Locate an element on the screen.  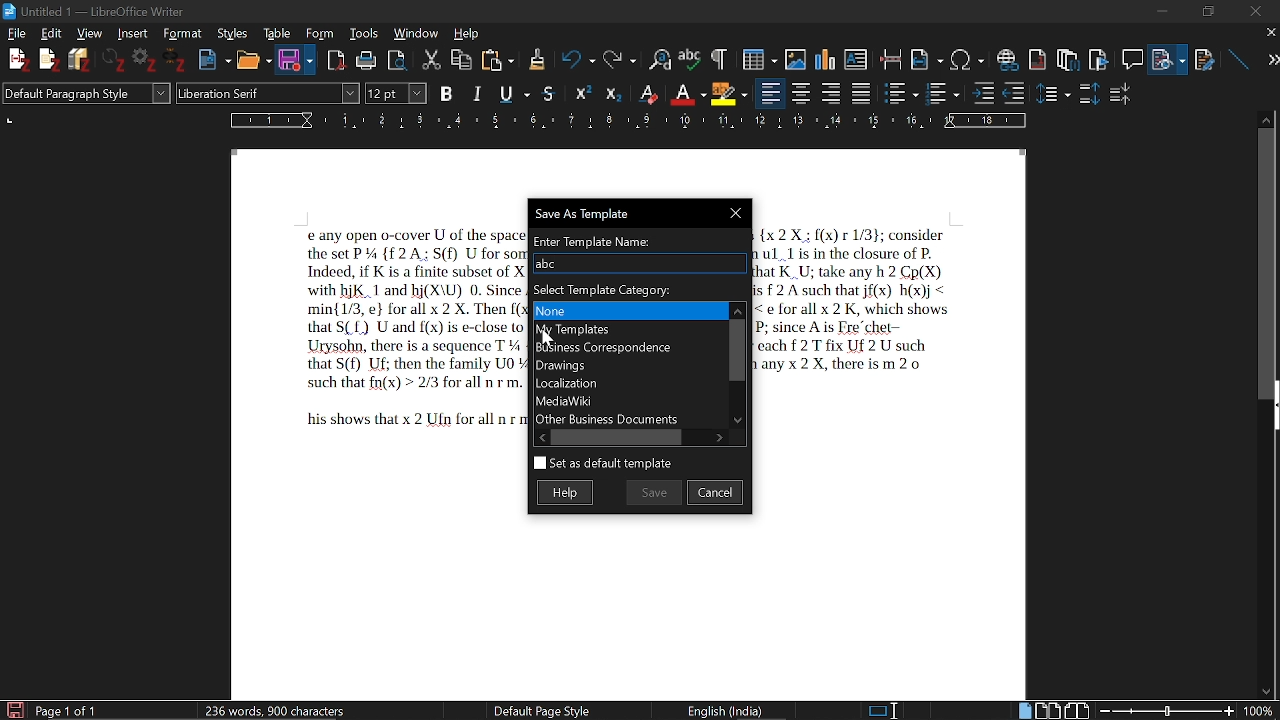
Categories is located at coordinates (628, 364).